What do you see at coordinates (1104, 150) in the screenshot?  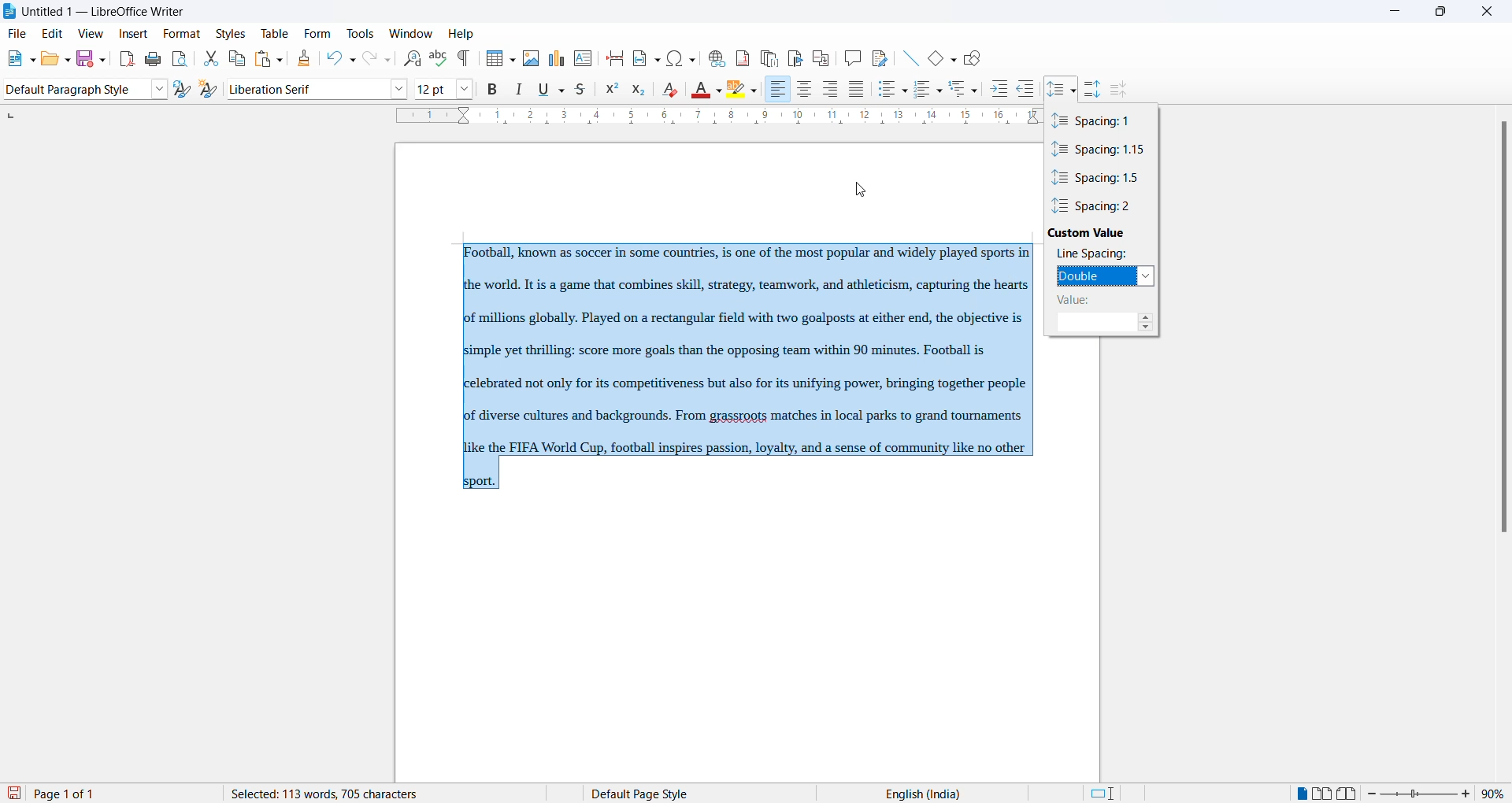 I see `spacing value 1.1.5` at bounding box center [1104, 150].